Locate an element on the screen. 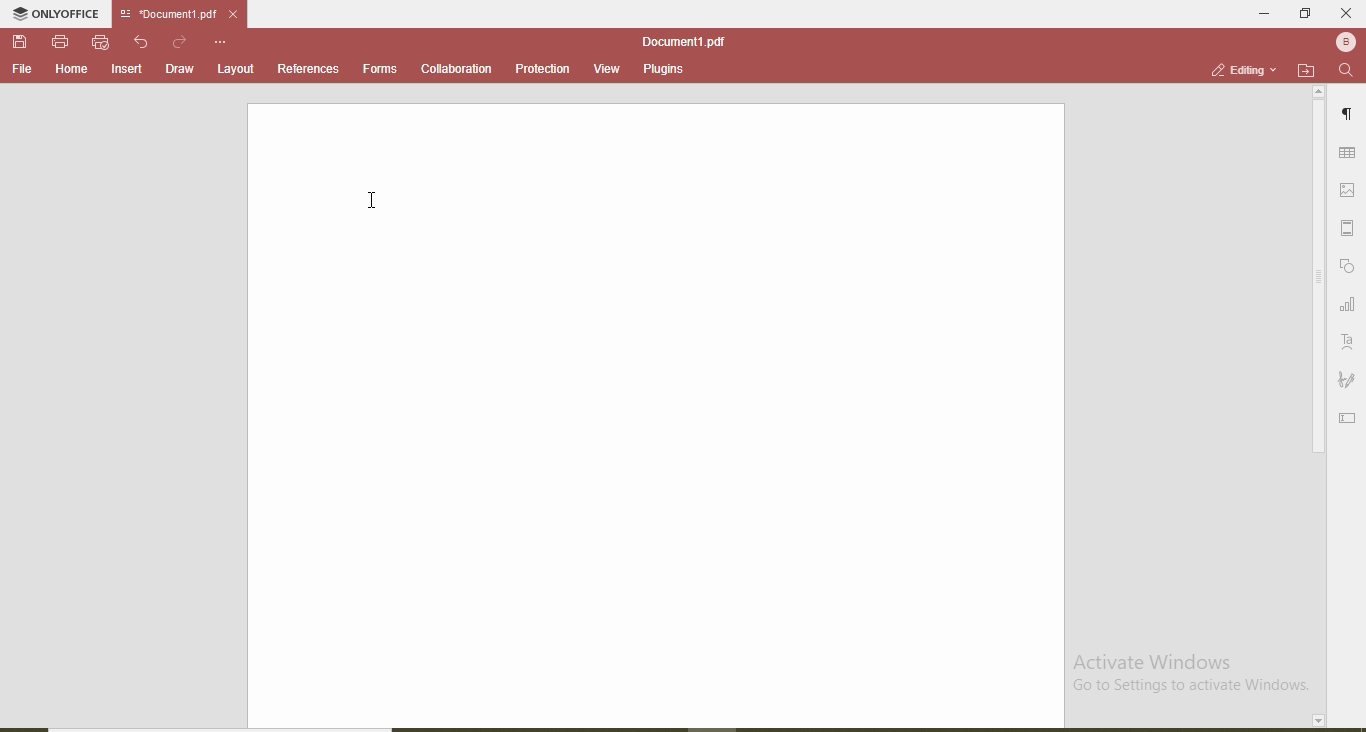 The image size is (1366, 732). print is located at coordinates (60, 40).